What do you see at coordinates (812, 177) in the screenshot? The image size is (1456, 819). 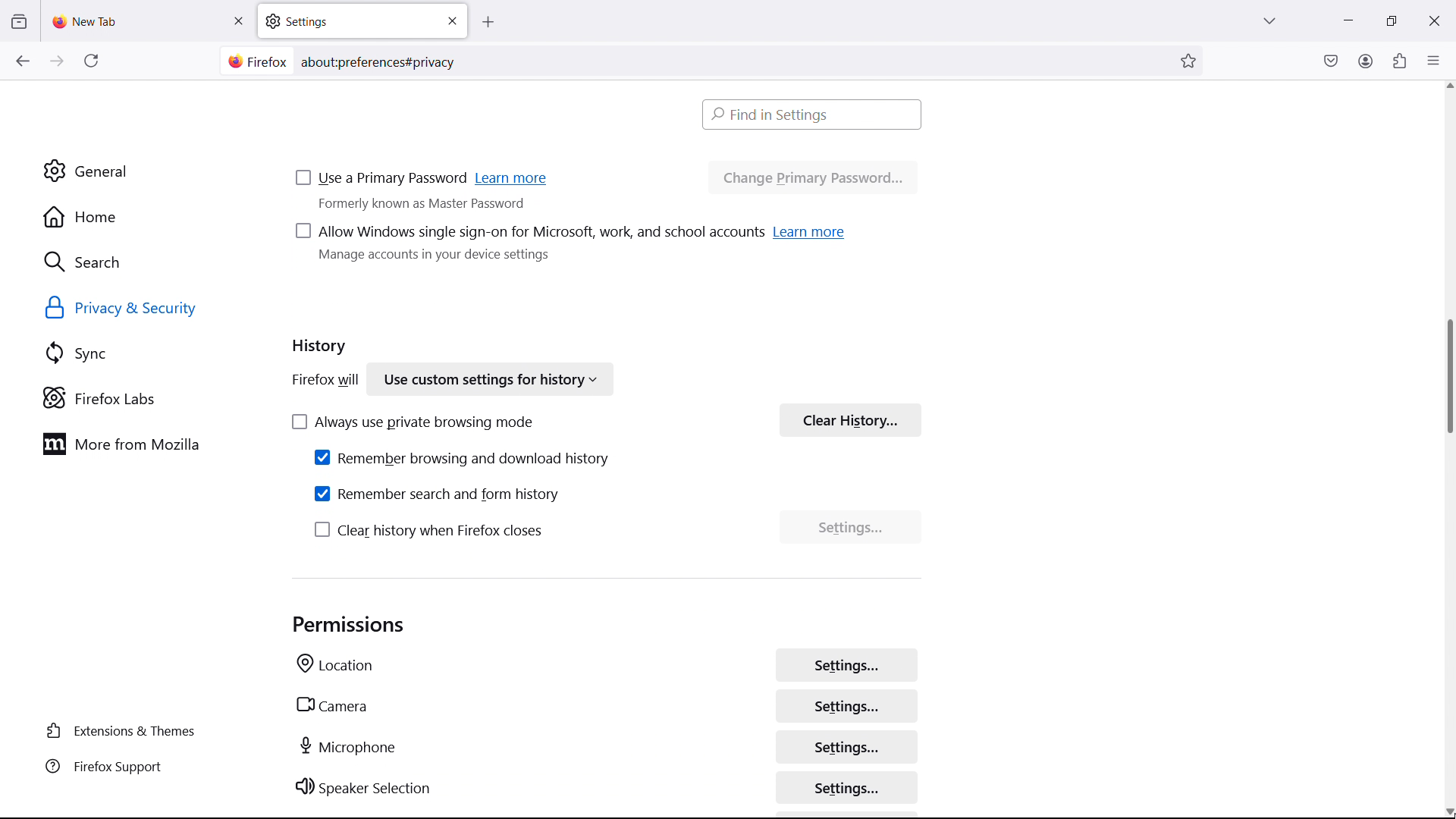 I see `change primary password` at bounding box center [812, 177].